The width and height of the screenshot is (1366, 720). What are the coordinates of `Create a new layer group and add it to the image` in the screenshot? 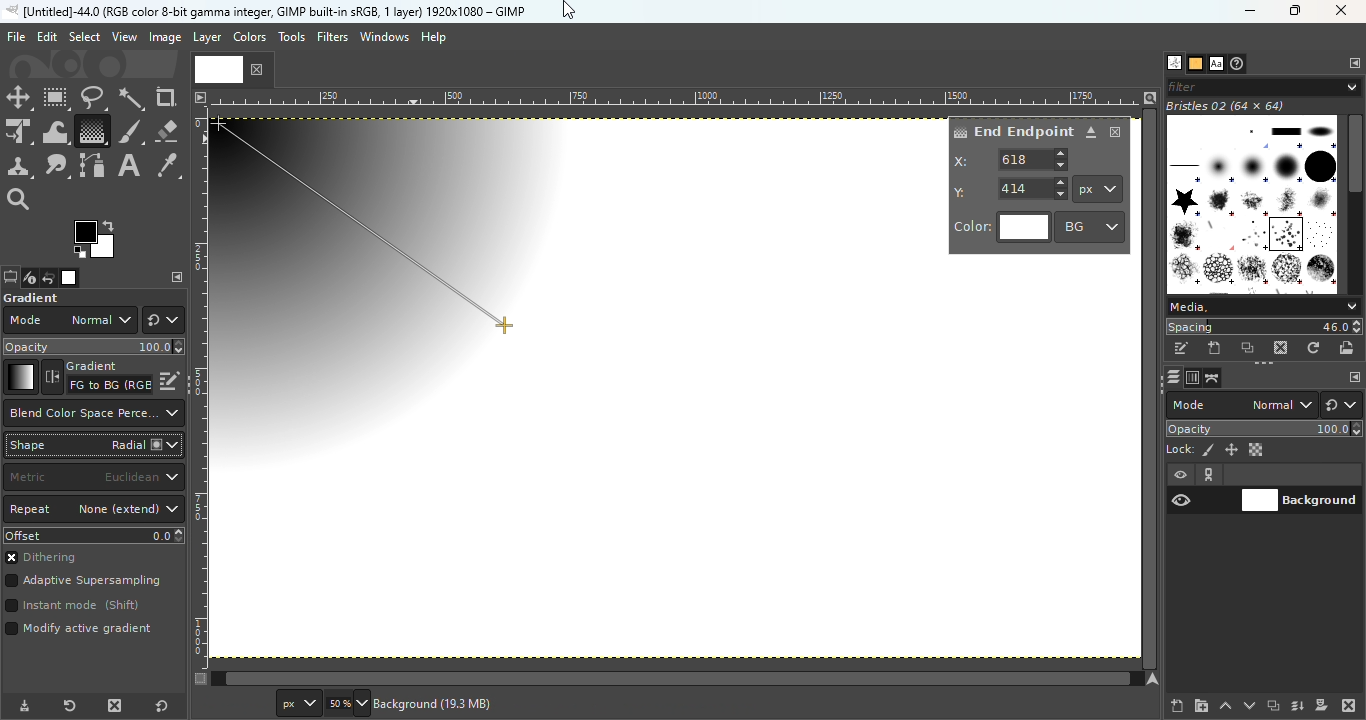 It's located at (1201, 706).